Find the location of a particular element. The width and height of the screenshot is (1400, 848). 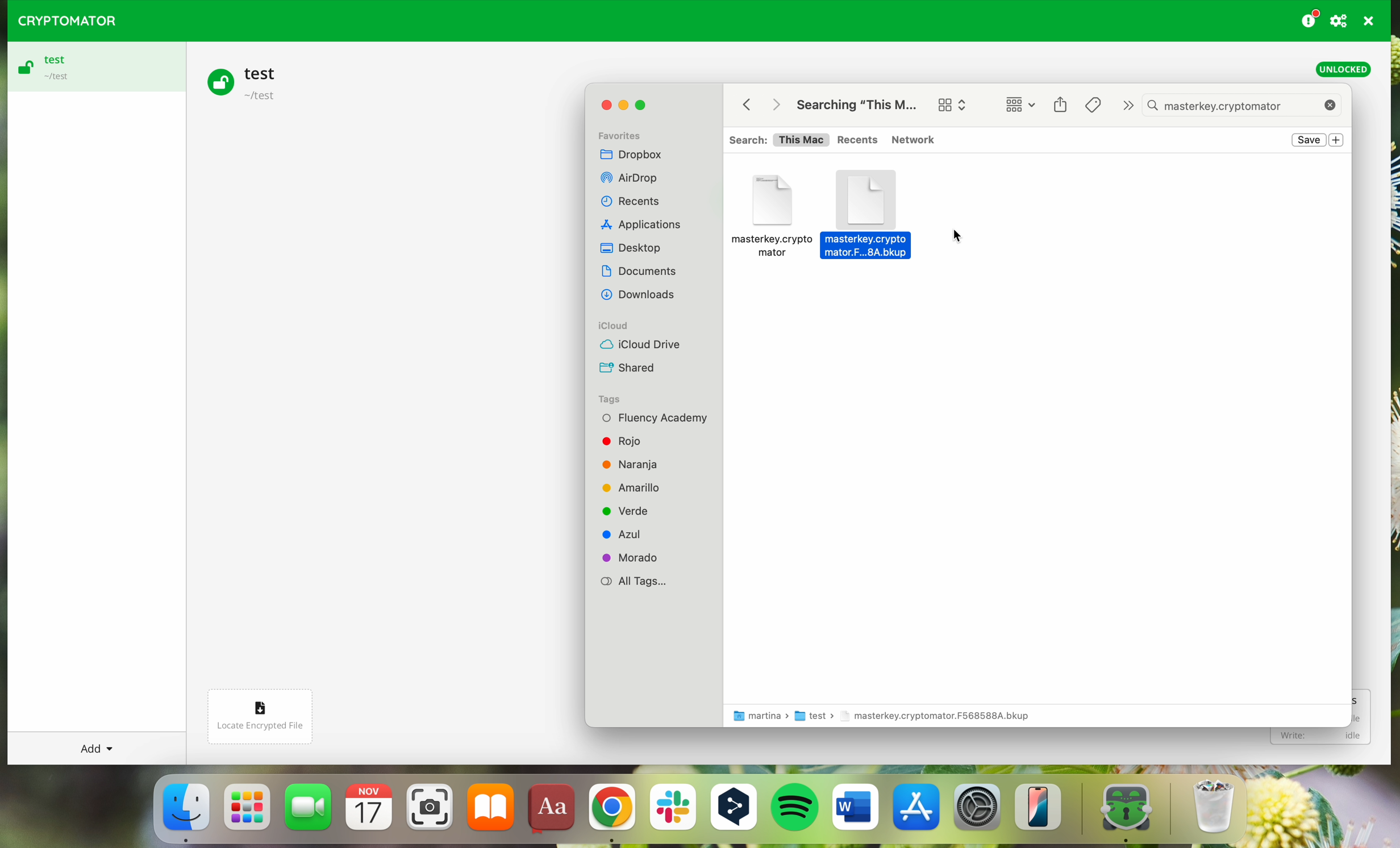

calendar is located at coordinates (369, 812).